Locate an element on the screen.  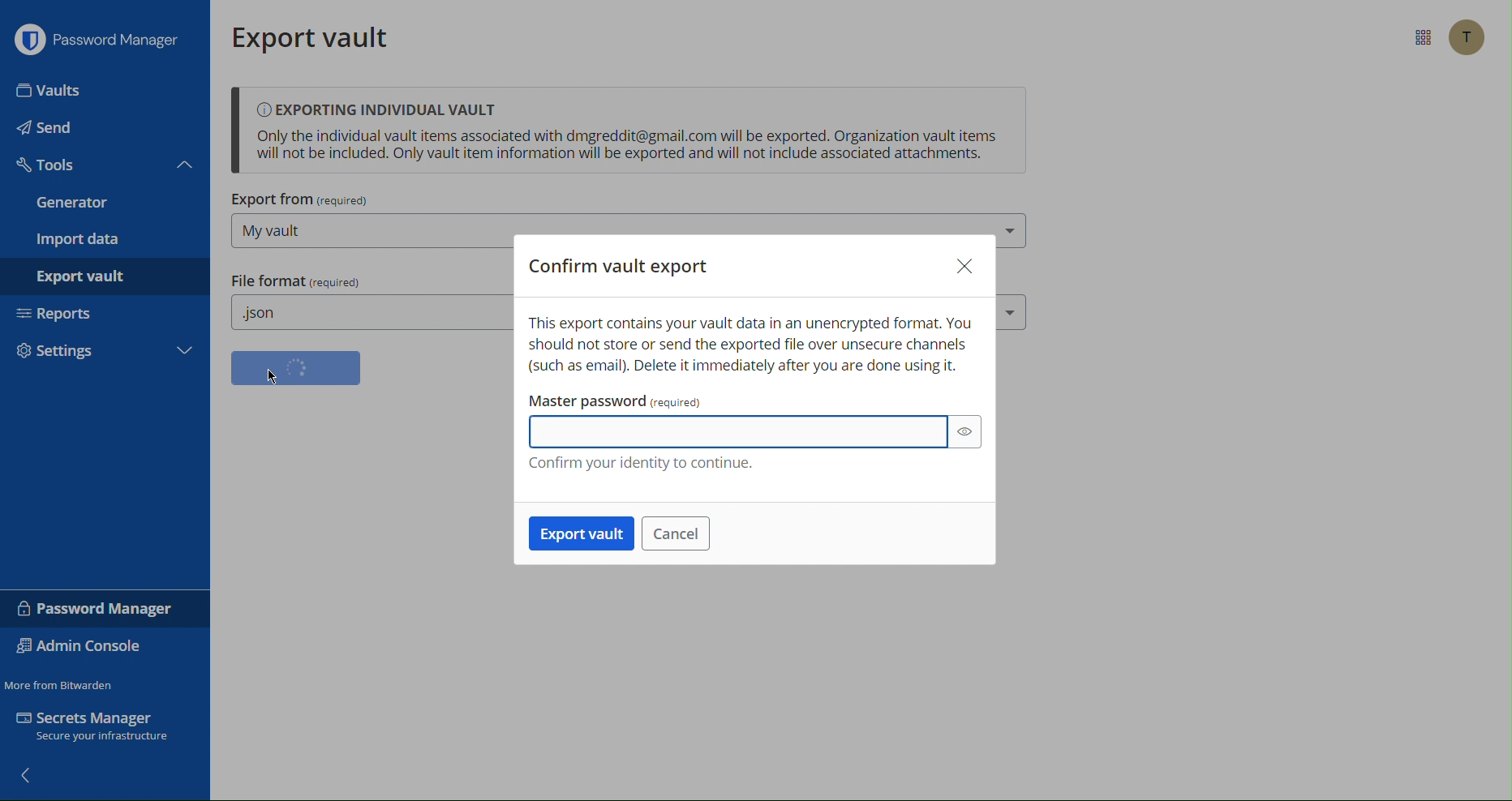
Export from (My vault) is located at coordinates (367, 225).